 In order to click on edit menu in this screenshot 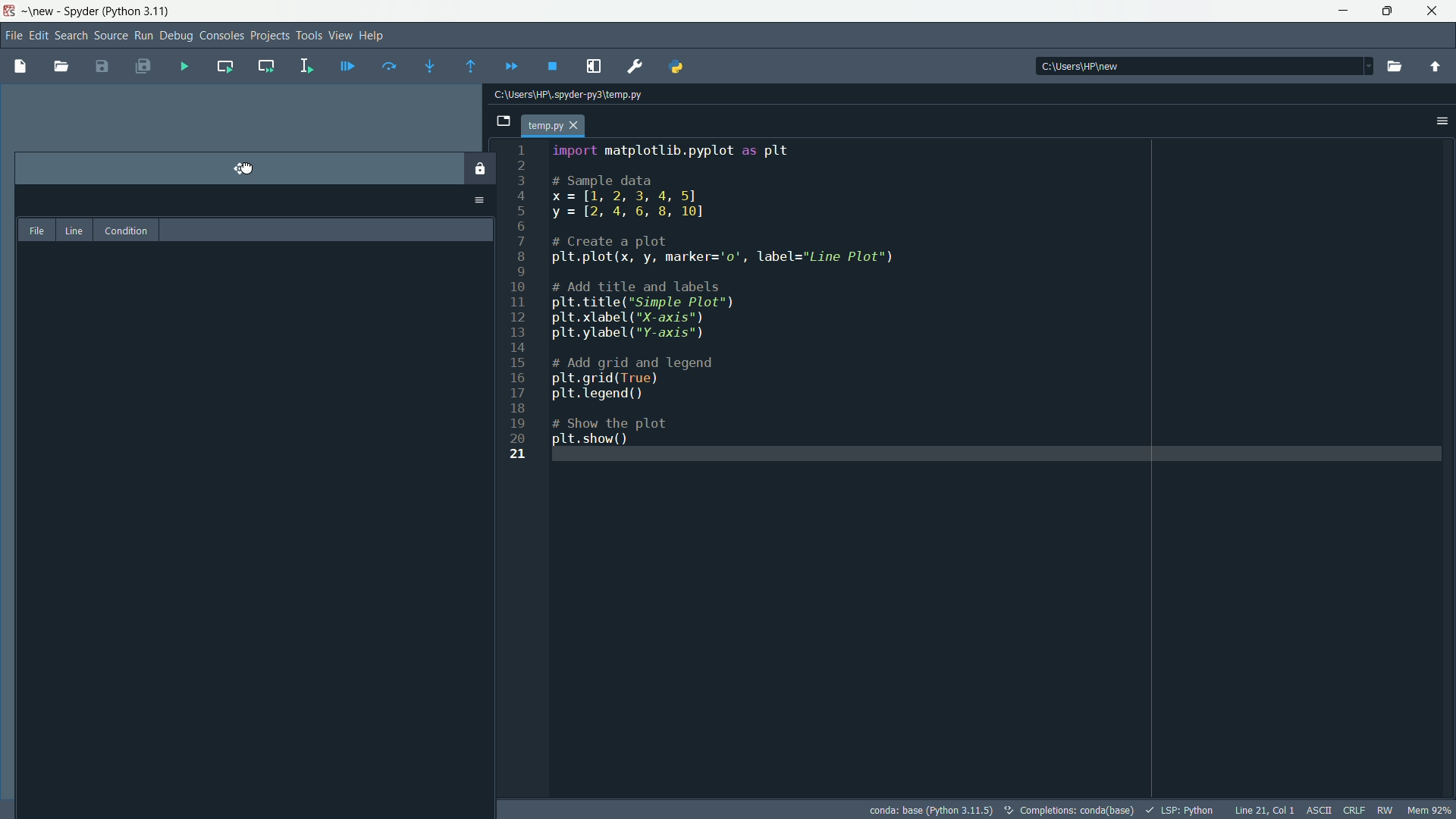, I will do `click(40, 34)`.